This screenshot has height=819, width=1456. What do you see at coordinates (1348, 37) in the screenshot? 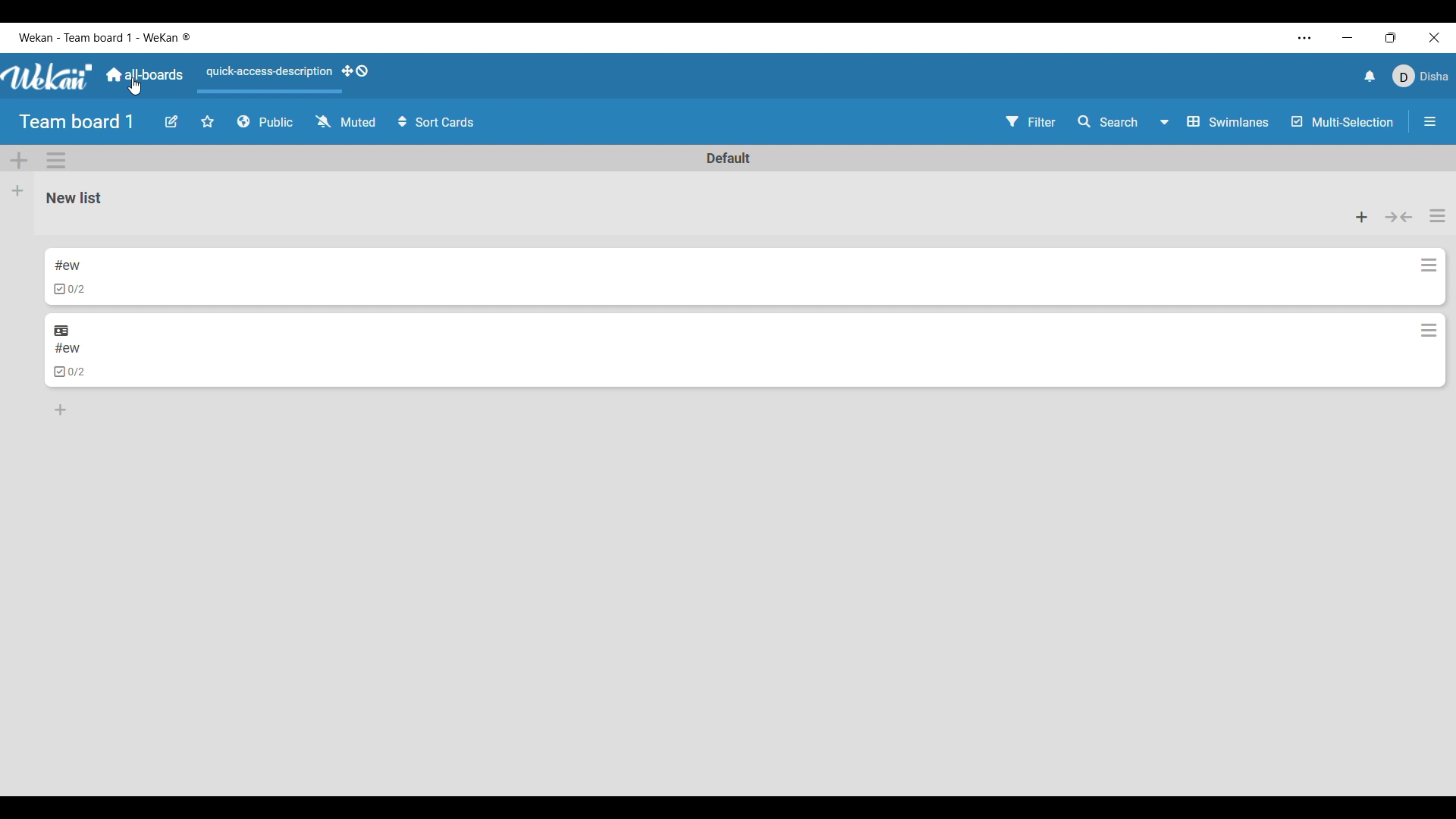
I see `Minimize` at bounding box center [1348, 37].